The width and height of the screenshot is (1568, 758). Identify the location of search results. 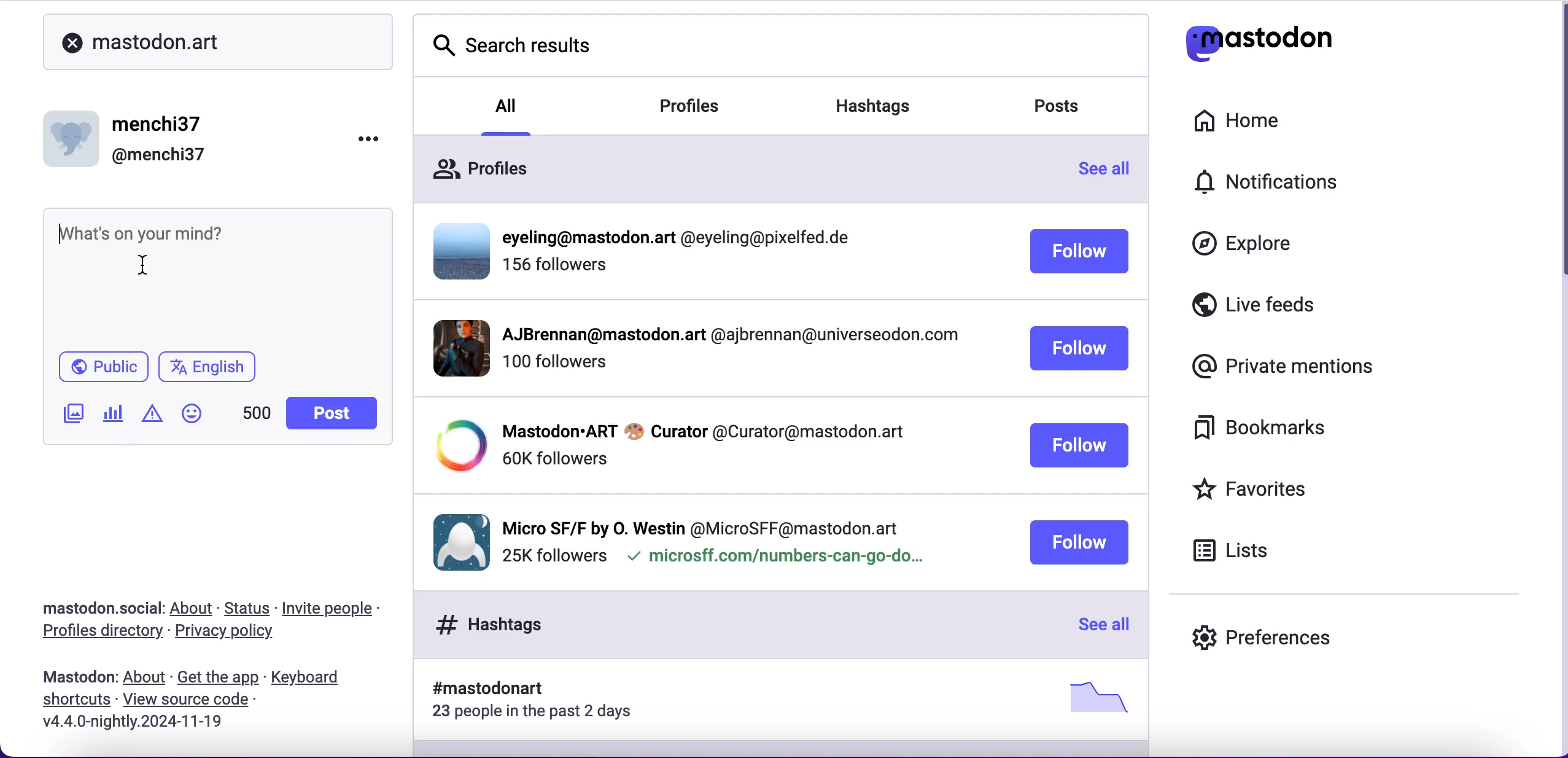
(541, 43).